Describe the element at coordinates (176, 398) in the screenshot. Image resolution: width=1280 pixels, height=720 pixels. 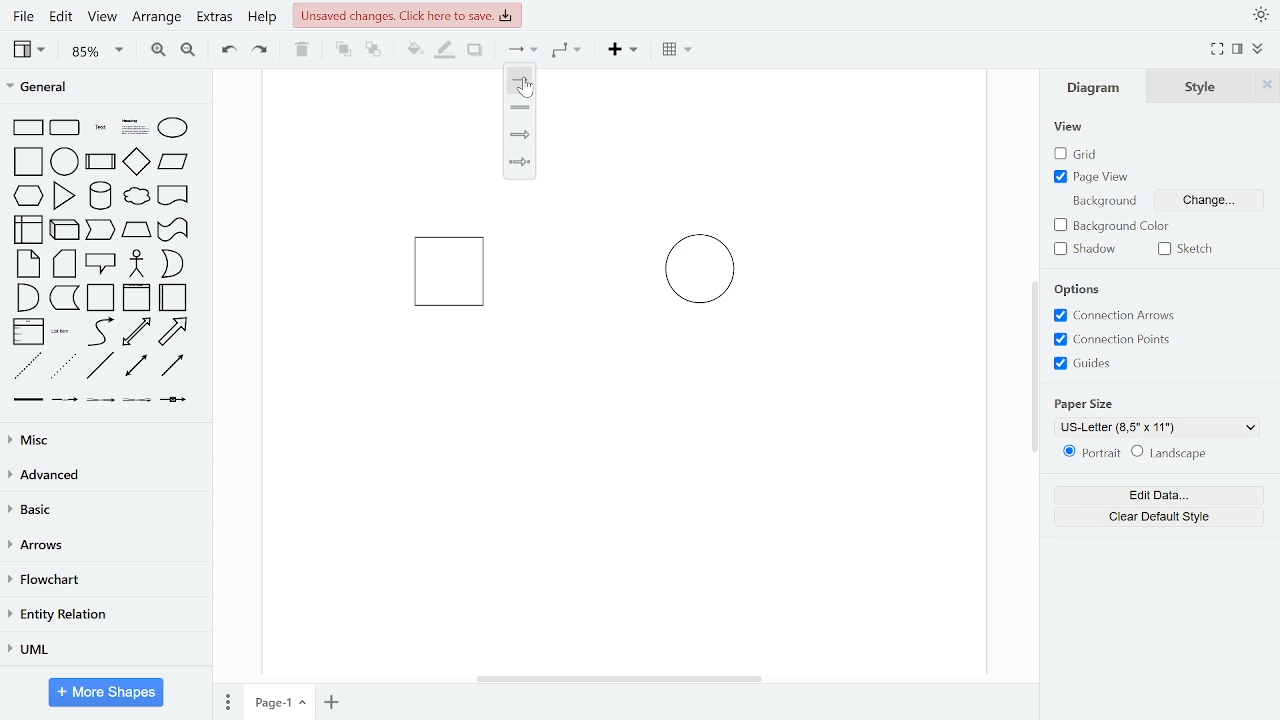
I see `connector with symbol` at that location.